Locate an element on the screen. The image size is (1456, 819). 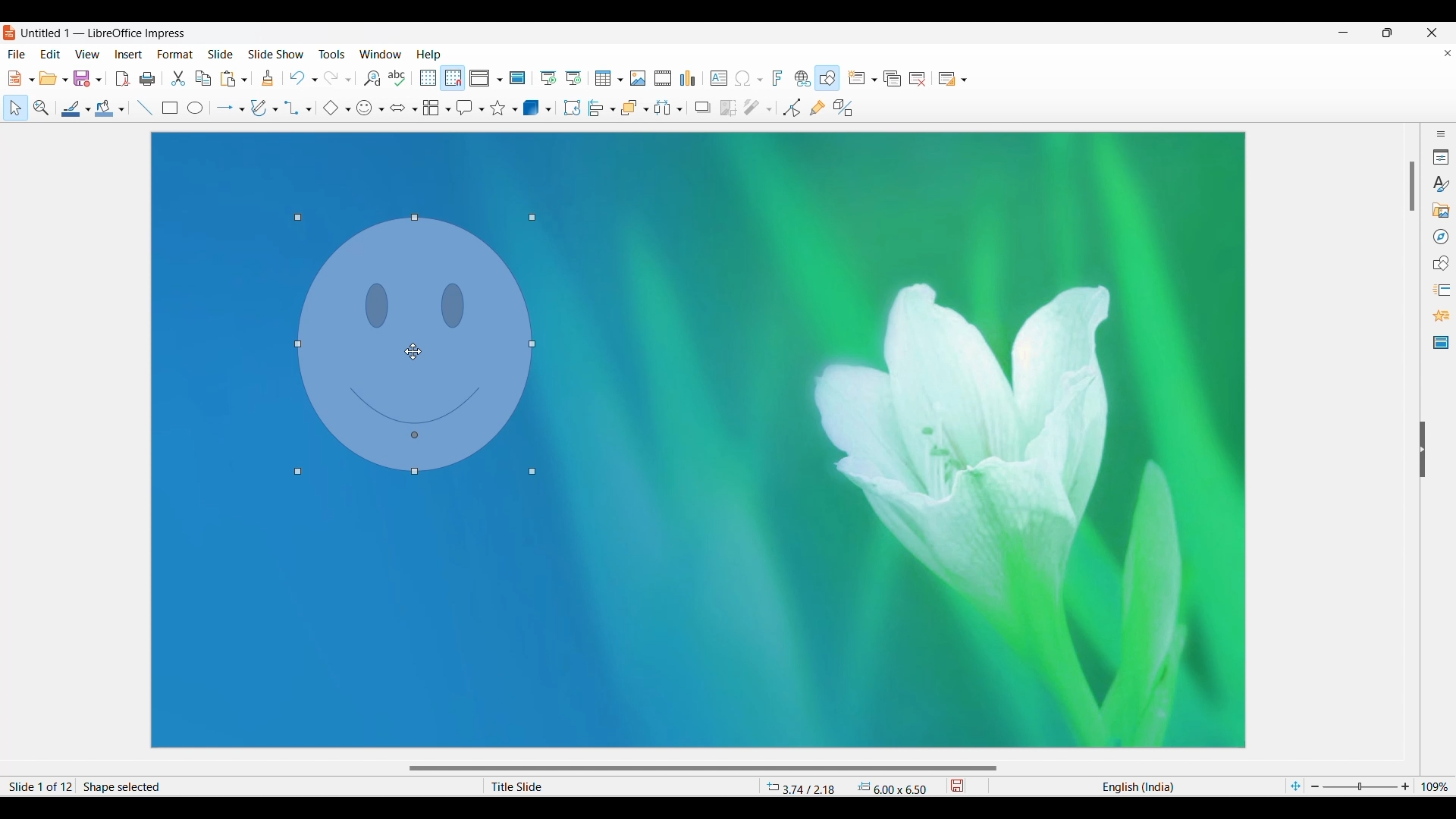
Crop image is located at coordinates (728, 108).